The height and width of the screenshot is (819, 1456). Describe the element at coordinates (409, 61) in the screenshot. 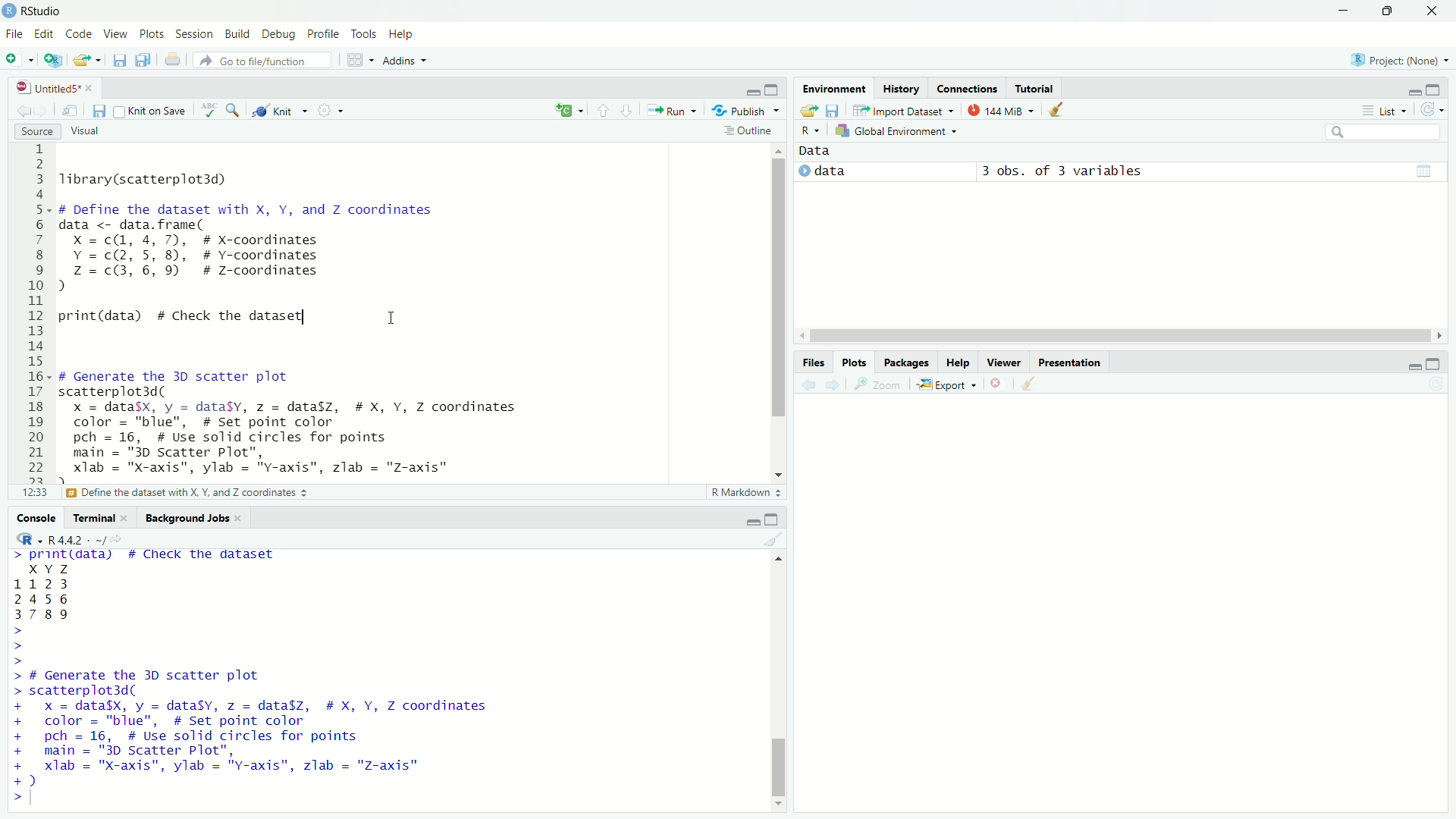

I see `addins` at that location.